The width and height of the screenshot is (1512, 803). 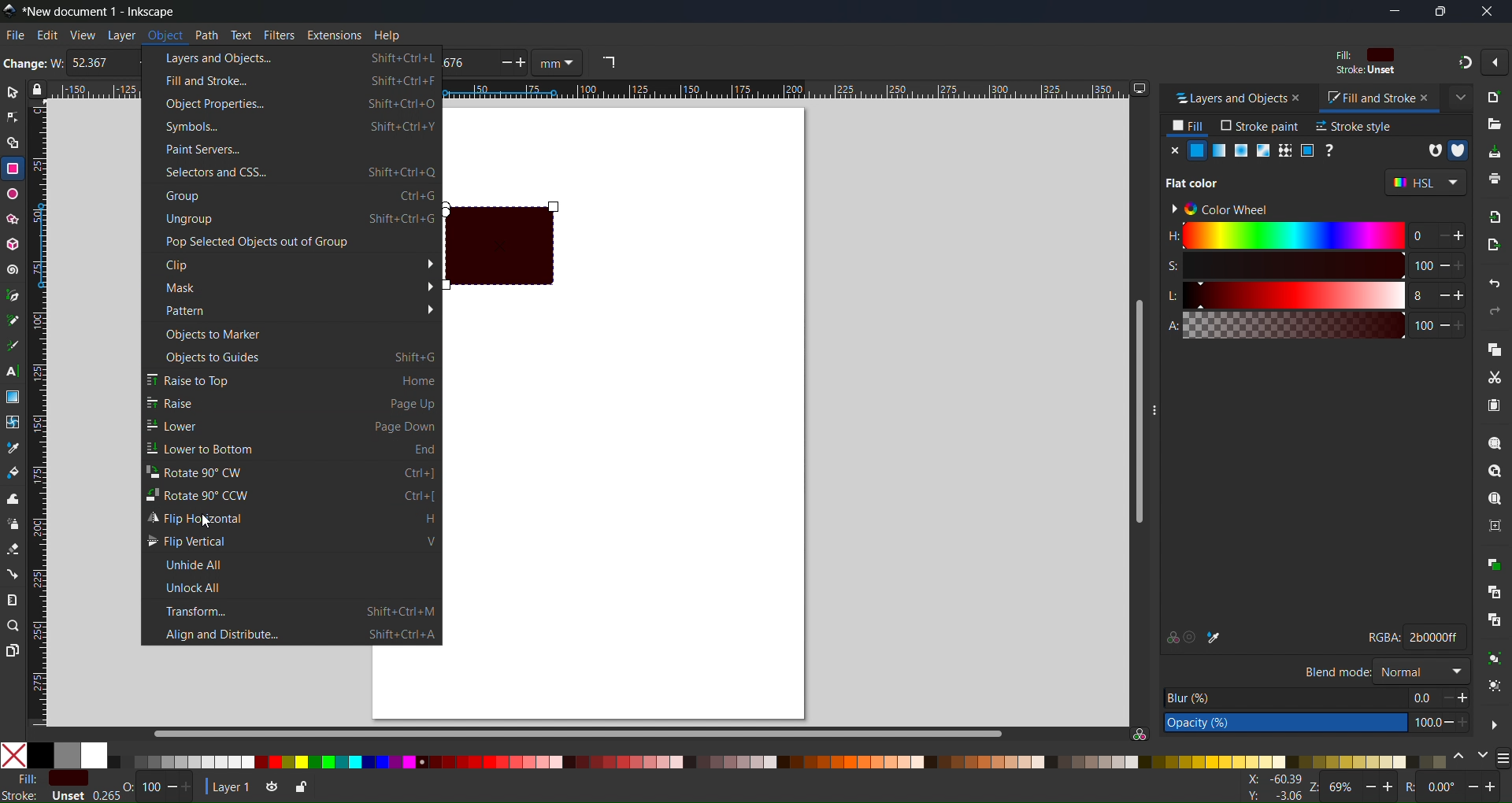 What do you see at coordinates (1215, 637) in the screenshot?
I see `Pick colors of image` at bounding box center [1215, 637].